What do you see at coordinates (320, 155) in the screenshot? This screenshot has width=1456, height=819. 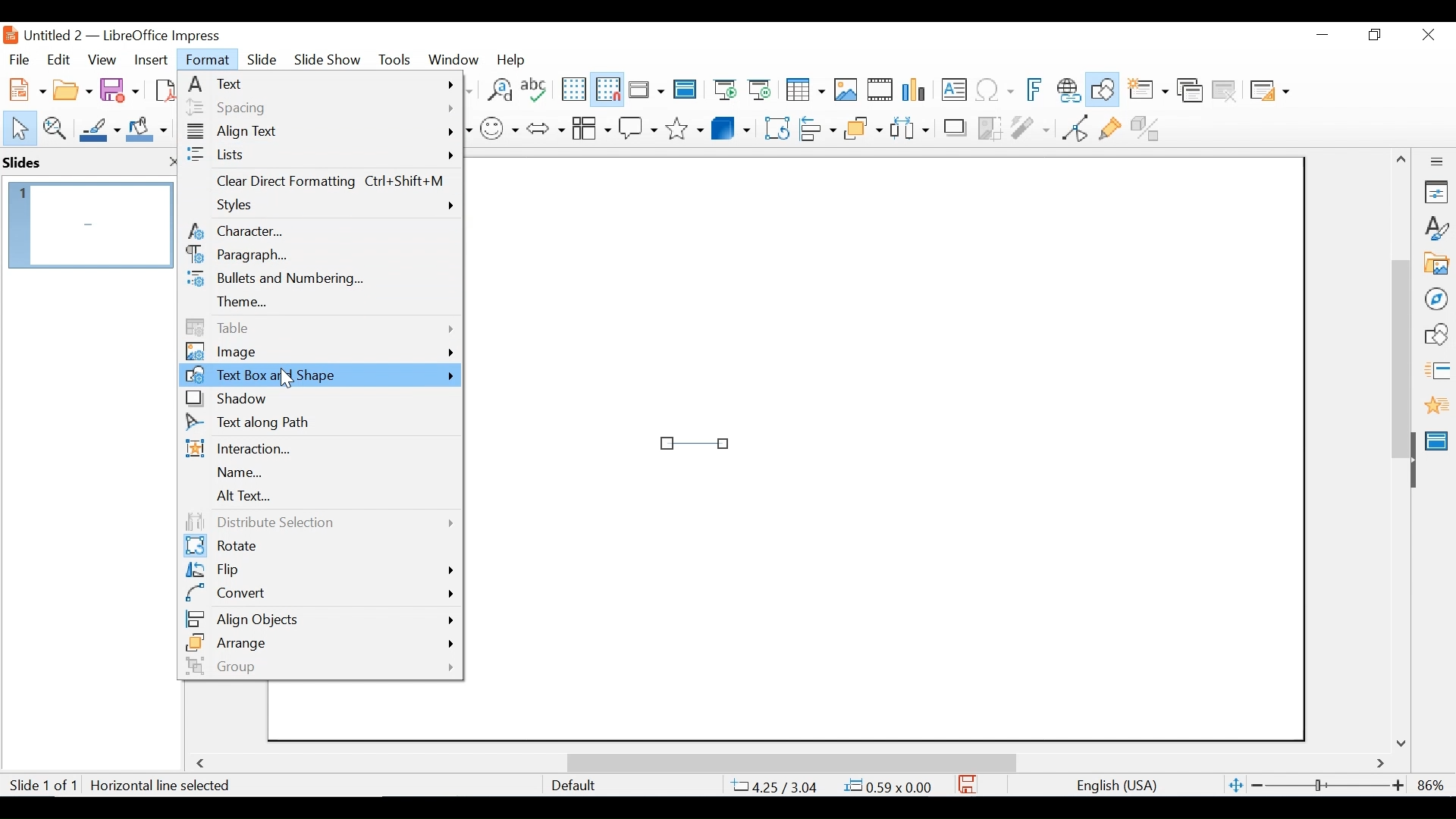 I see `Lists` at bounding box center [320, 155].